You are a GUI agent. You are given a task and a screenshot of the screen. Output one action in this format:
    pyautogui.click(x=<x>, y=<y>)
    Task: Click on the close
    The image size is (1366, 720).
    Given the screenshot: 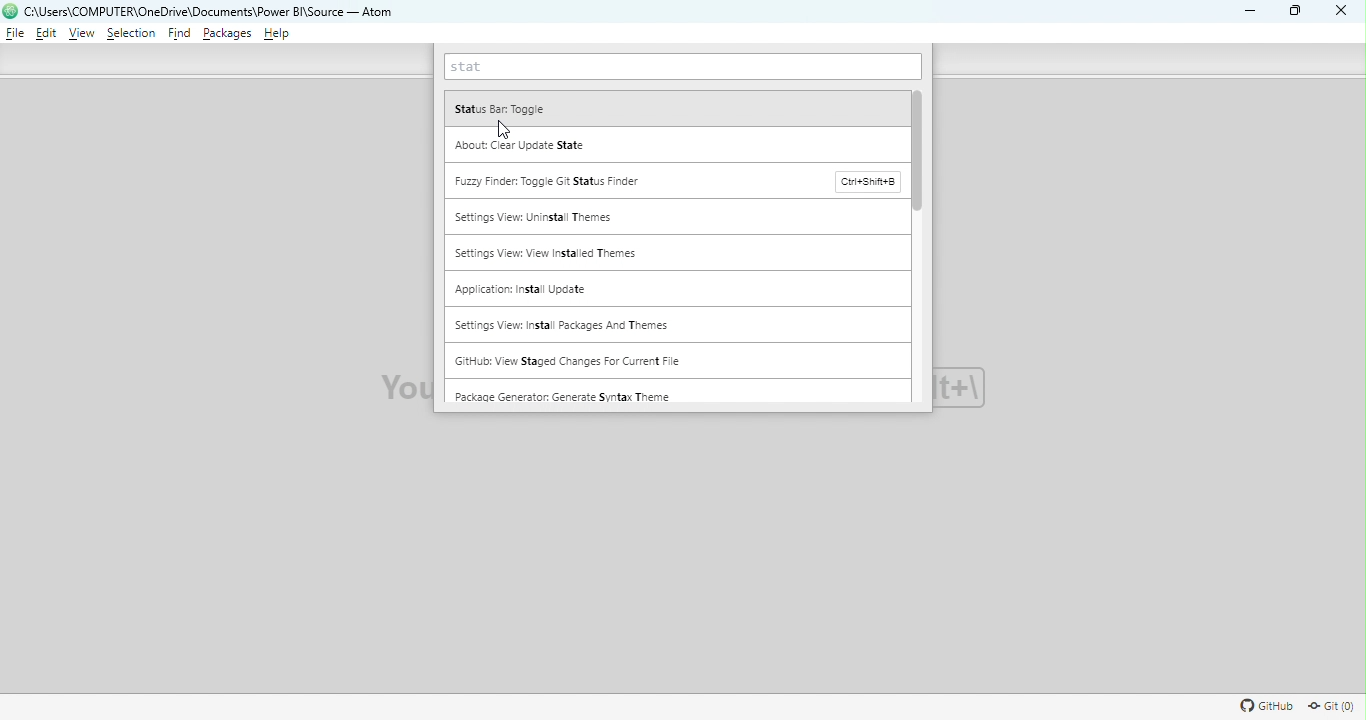 What is the action you would take?
    pyautogui.click(x=1337, y=12)
    